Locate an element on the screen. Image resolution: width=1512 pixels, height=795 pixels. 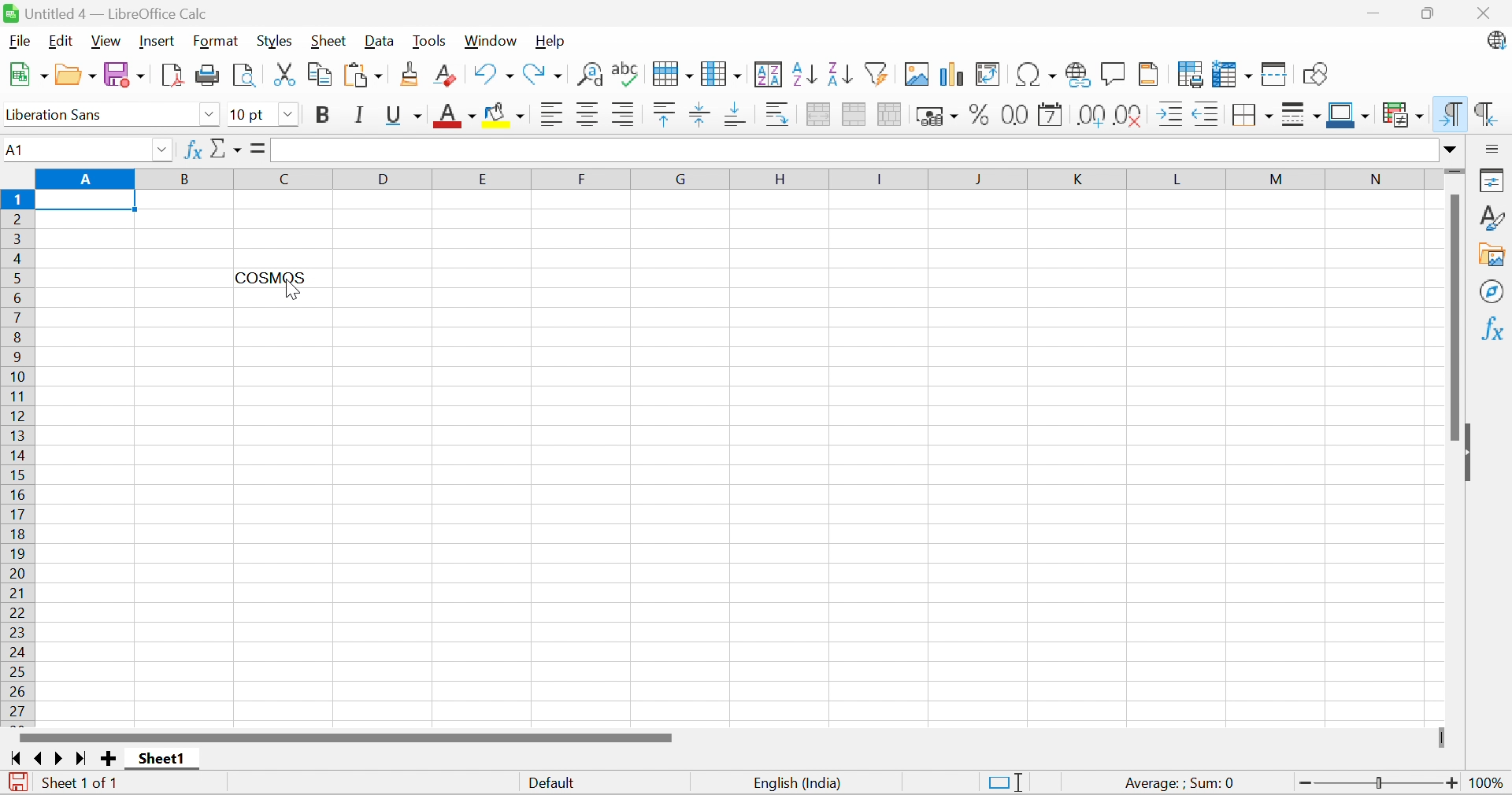
Print is located at coordinates (209, 75).